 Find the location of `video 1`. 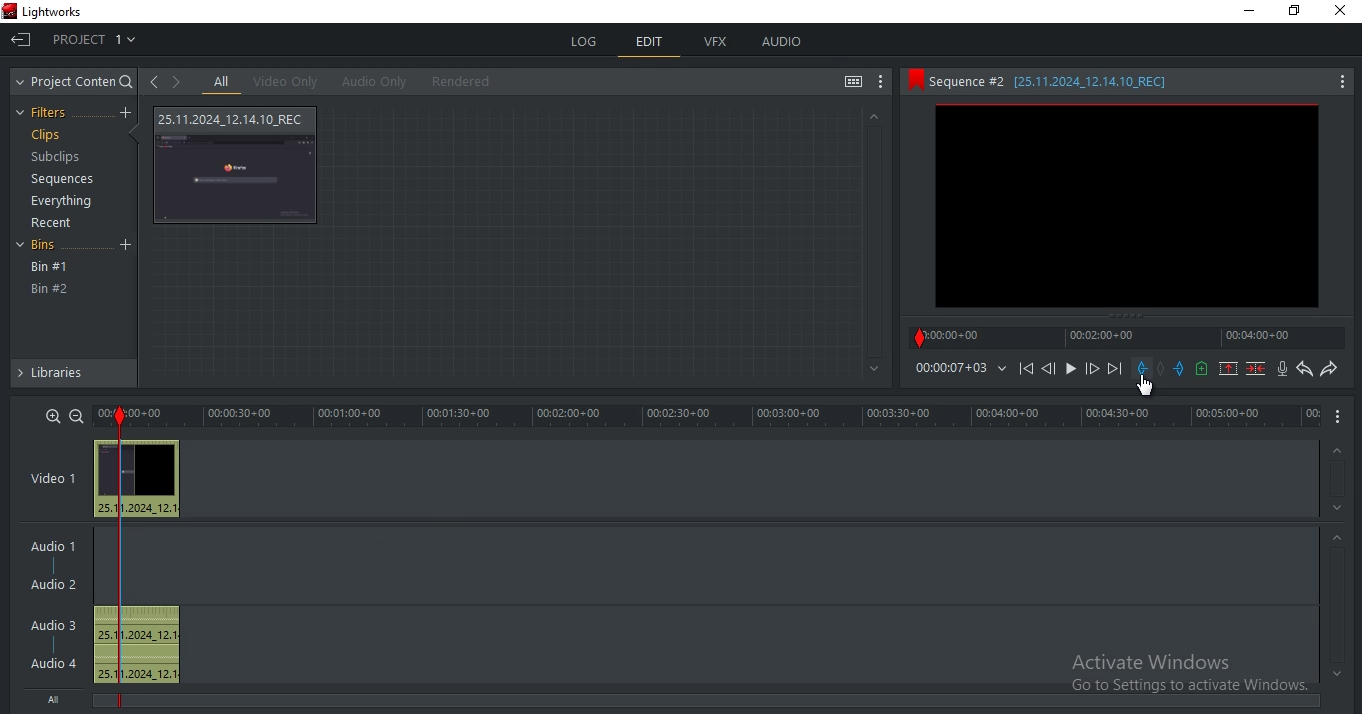

video 1 is located at coordinates (53, 476).